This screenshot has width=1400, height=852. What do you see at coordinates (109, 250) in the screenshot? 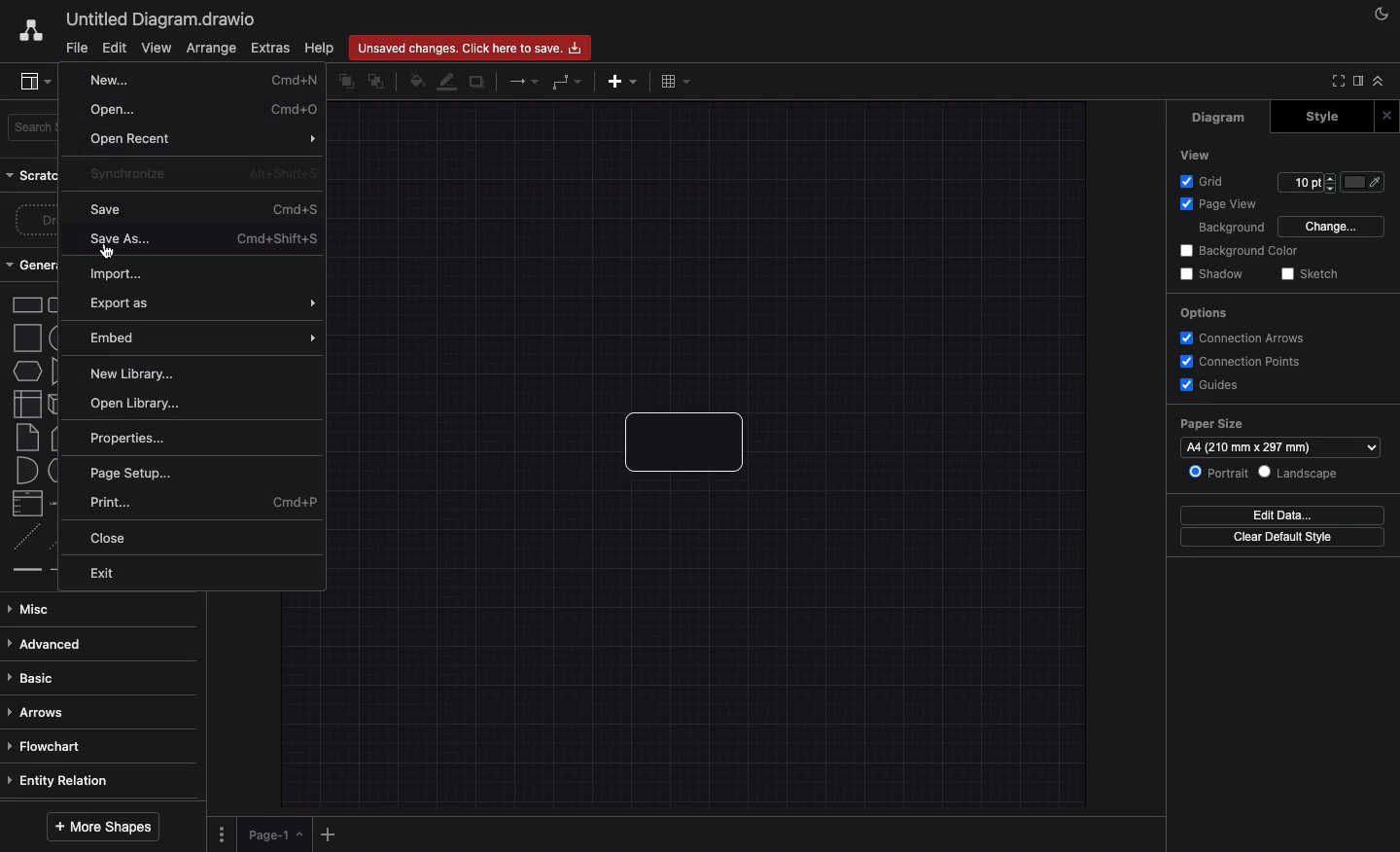
I see `Cursor` at bounding box center [109, 250].